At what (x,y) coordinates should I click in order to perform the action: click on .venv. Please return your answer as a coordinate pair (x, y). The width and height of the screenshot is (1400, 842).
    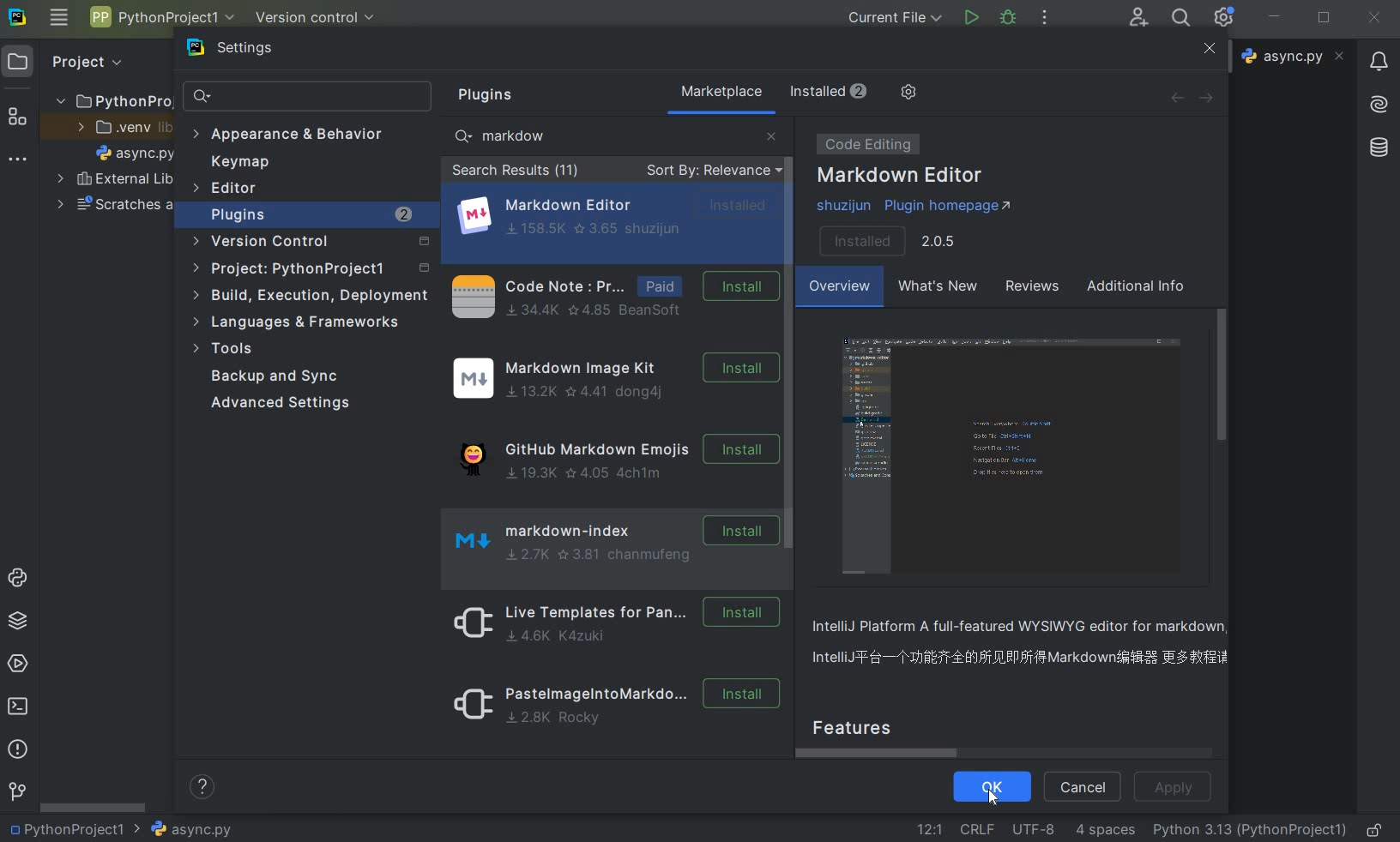
    Looking at the image, I should click on (118, 127).